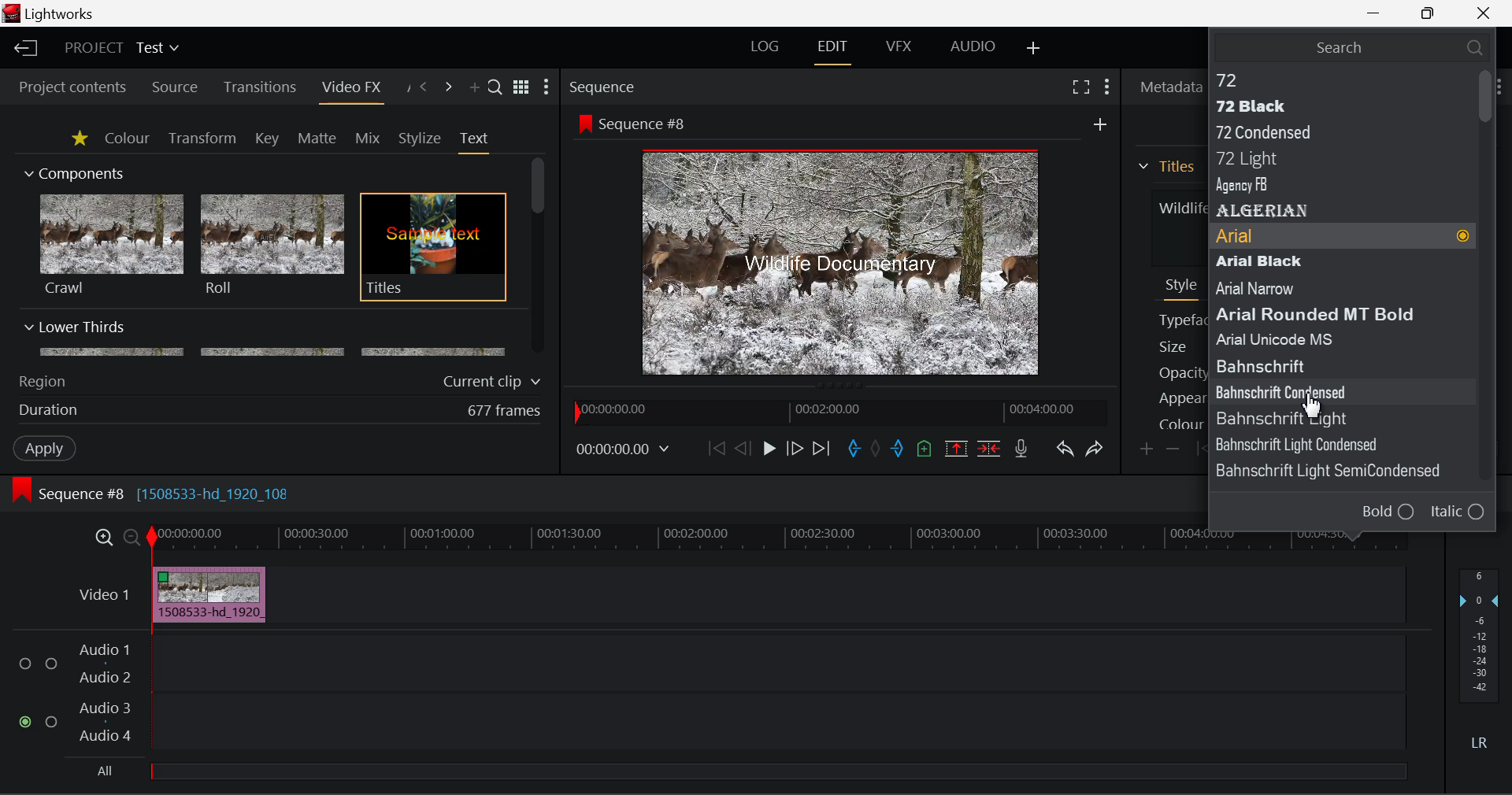 This screenshot has width=1512, height=795. Describe the element at coordinates (836, 52) in the screenshot. I see `EDIT Layout Open` at that location.